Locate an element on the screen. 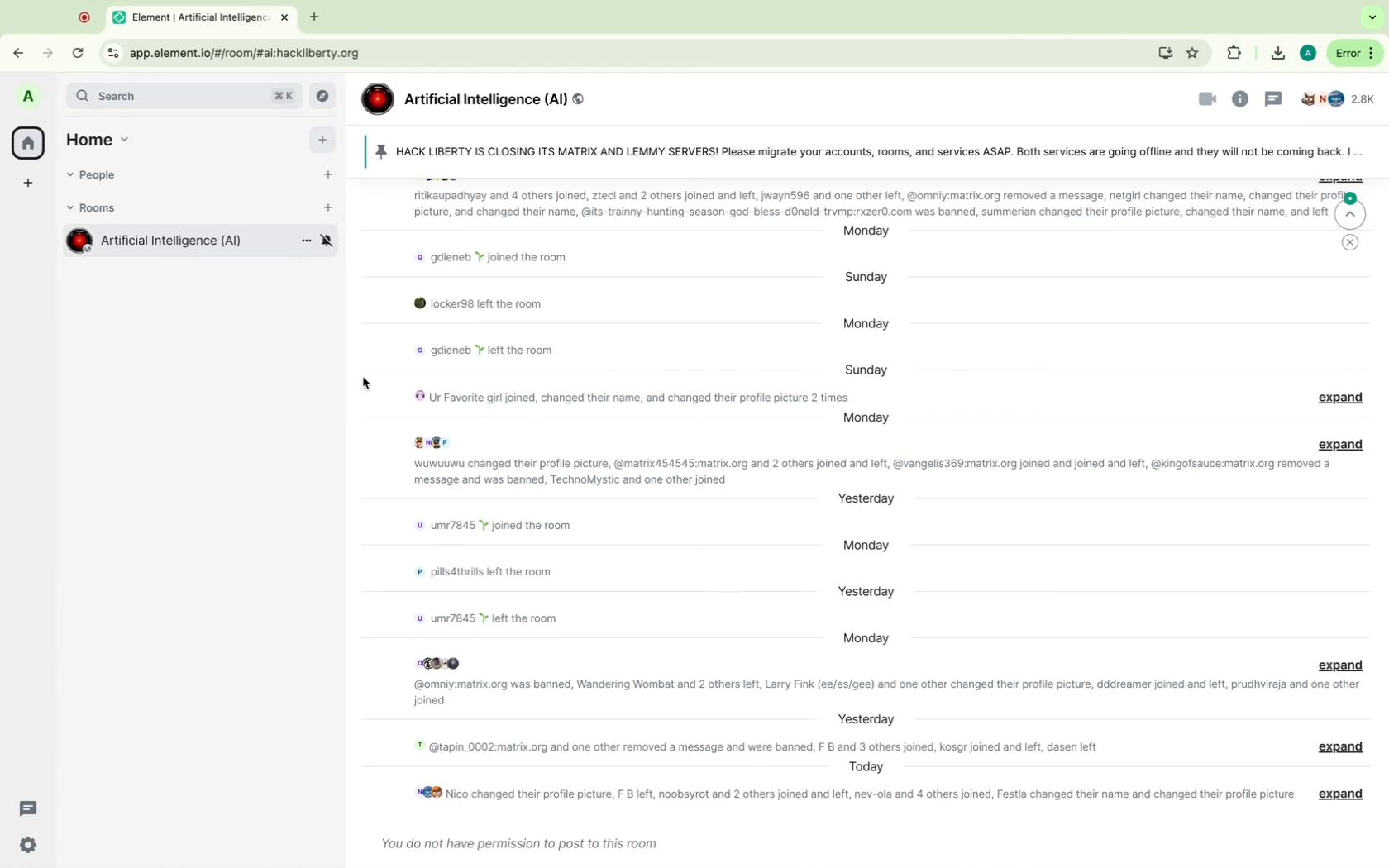  profile pictures is located at coordinates (441, 661).